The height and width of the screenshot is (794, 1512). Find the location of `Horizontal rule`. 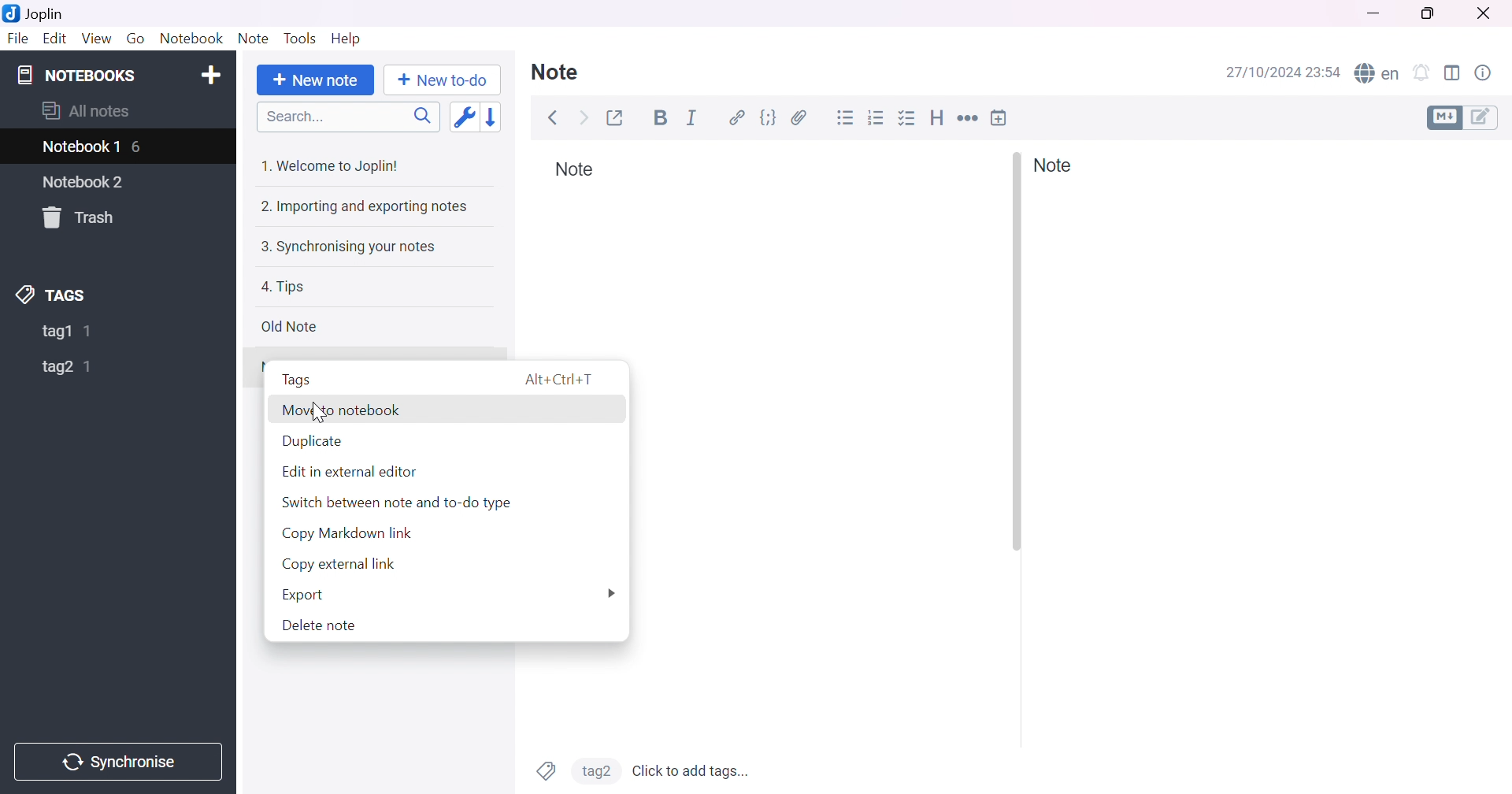

Horizontal rule is located at coordinates (969, 120).